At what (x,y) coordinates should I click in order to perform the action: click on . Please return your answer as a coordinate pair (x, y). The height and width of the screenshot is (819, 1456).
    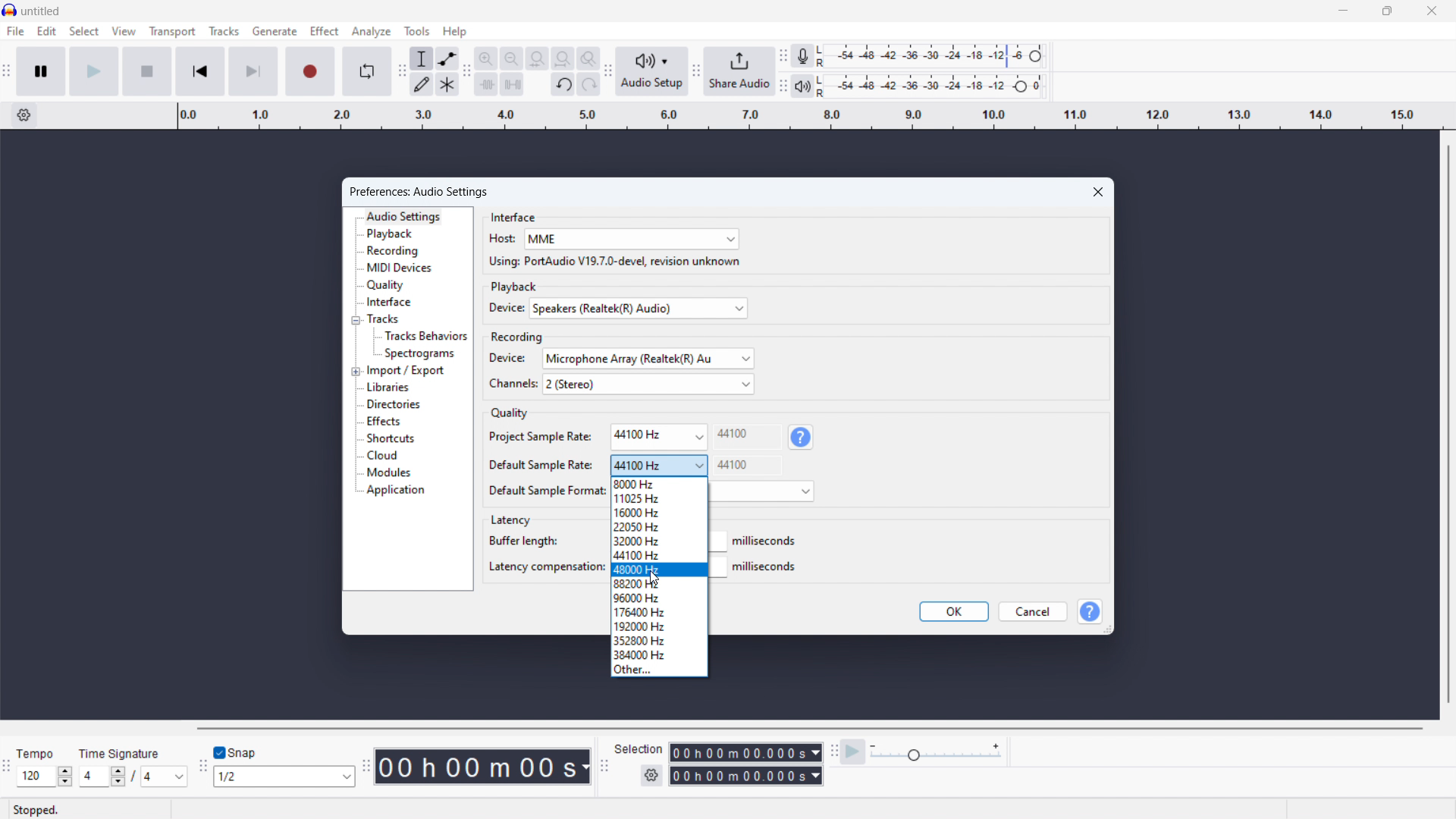
    Looking at the image, I should click on (660, 513).